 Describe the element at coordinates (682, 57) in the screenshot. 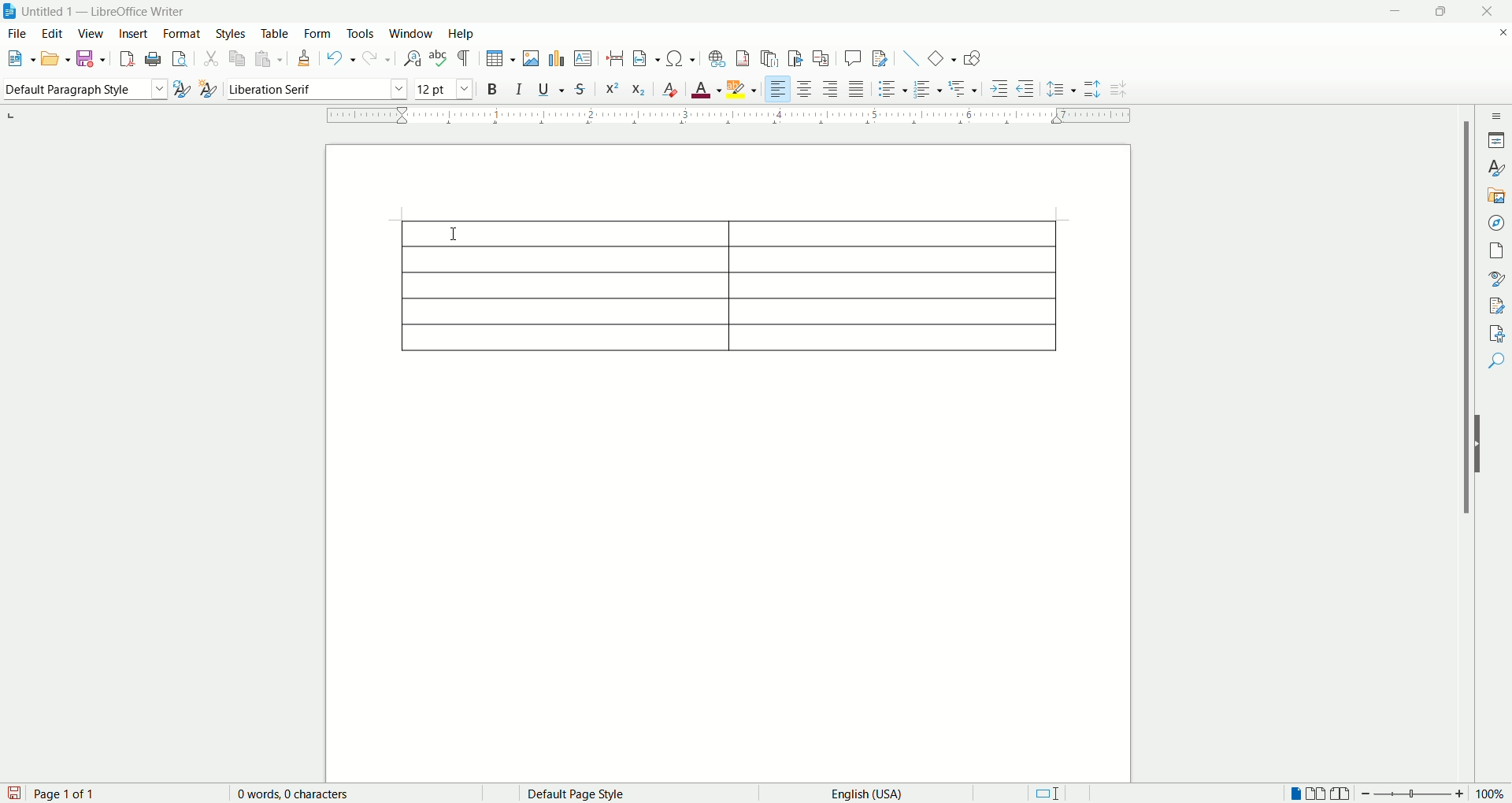

I see `insert symbol` at that location.